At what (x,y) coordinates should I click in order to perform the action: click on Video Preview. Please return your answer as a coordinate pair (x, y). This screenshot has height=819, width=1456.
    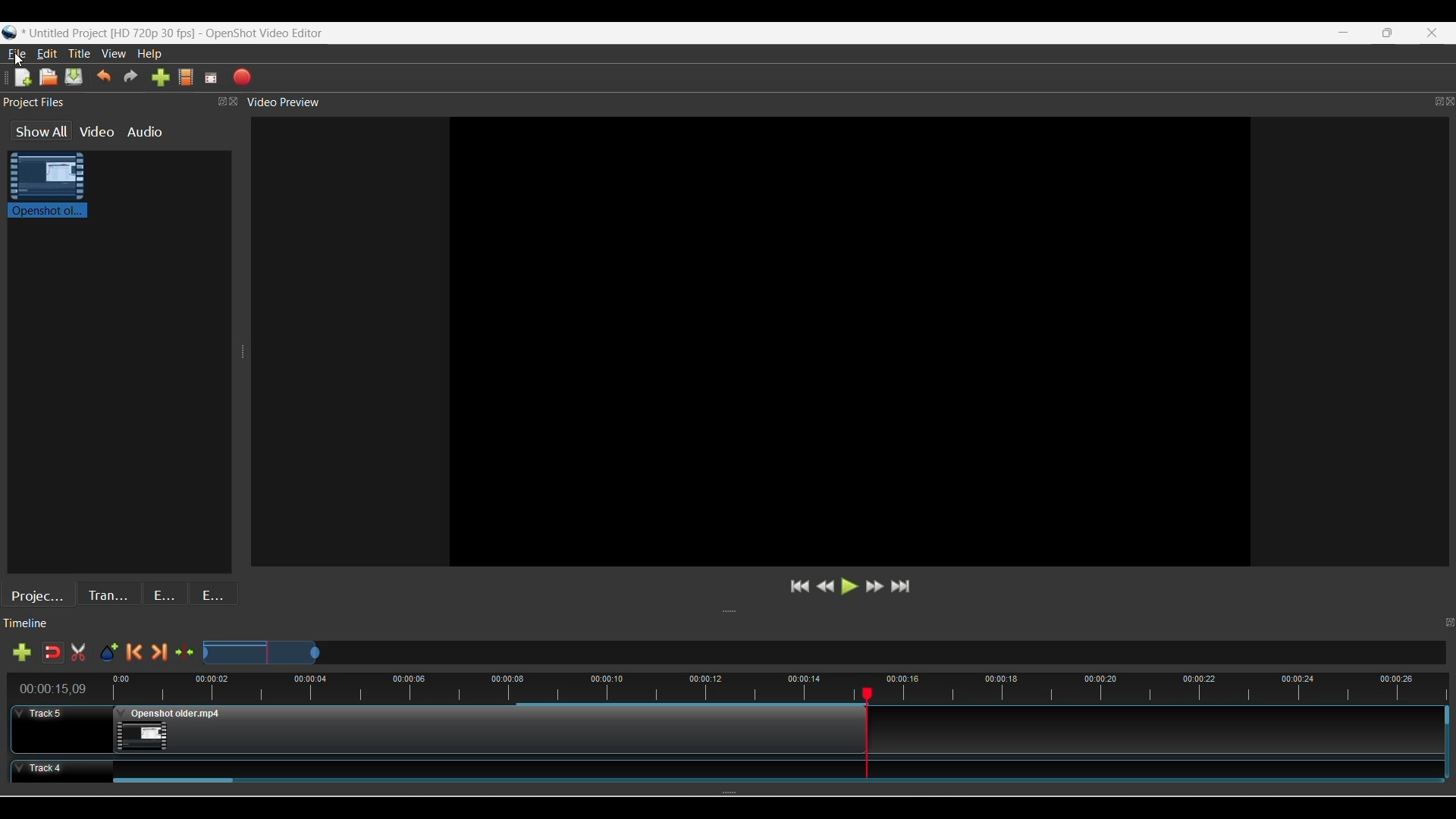
    Looking at the image, I should click on (852, 103).